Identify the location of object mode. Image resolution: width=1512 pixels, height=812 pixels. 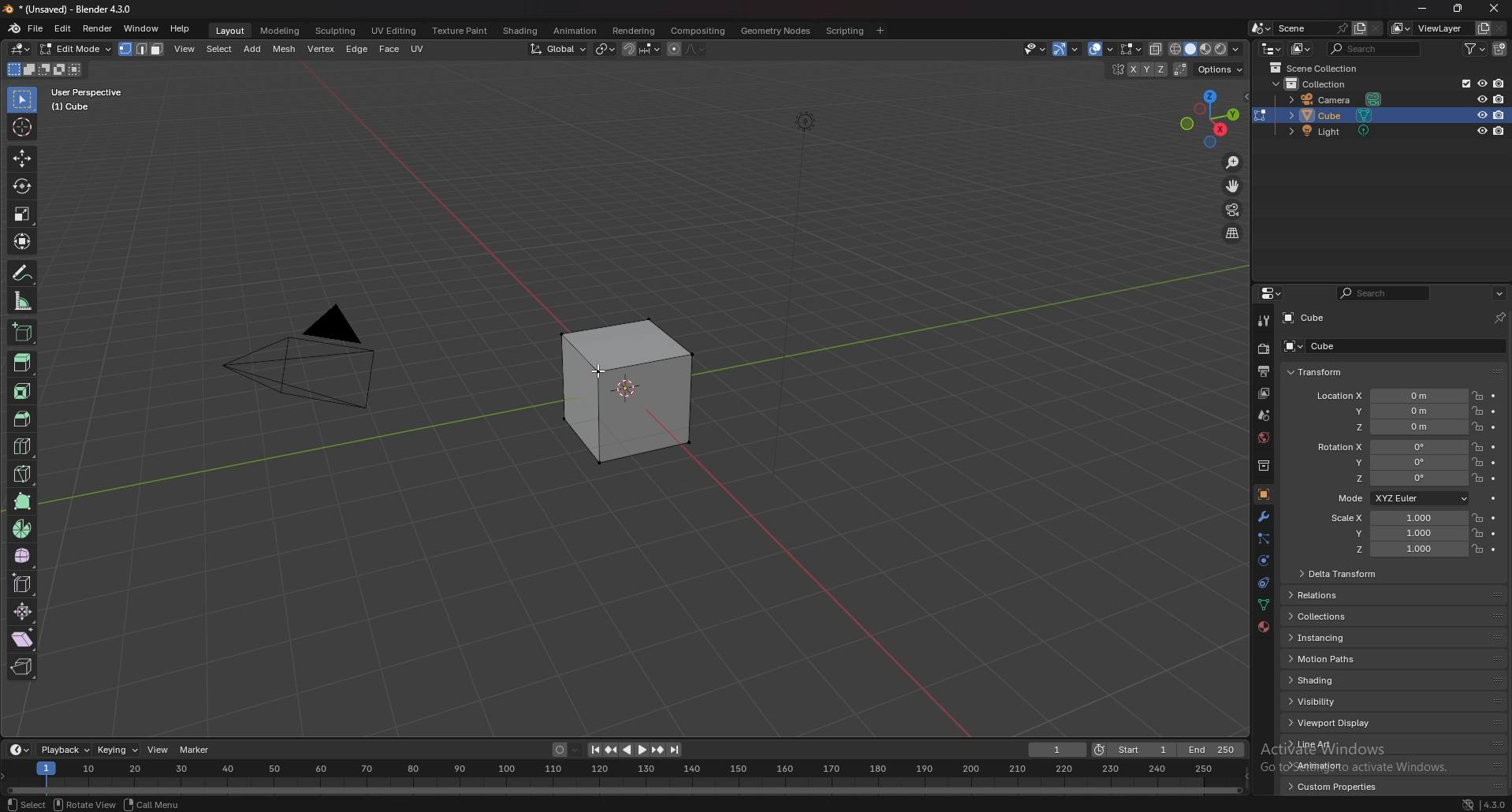
(104, 48).